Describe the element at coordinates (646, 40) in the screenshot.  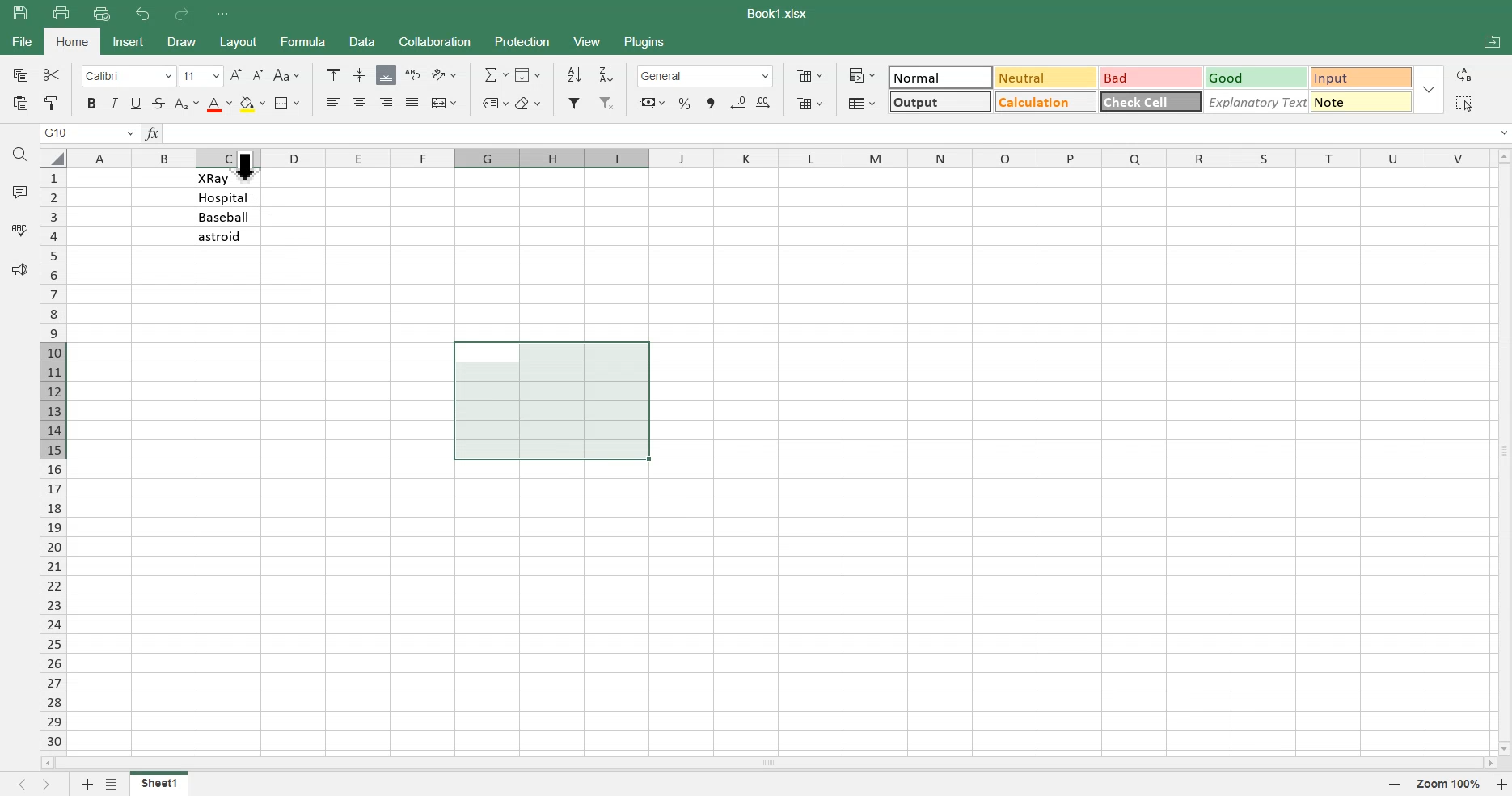
I see `Plugins` at that location.